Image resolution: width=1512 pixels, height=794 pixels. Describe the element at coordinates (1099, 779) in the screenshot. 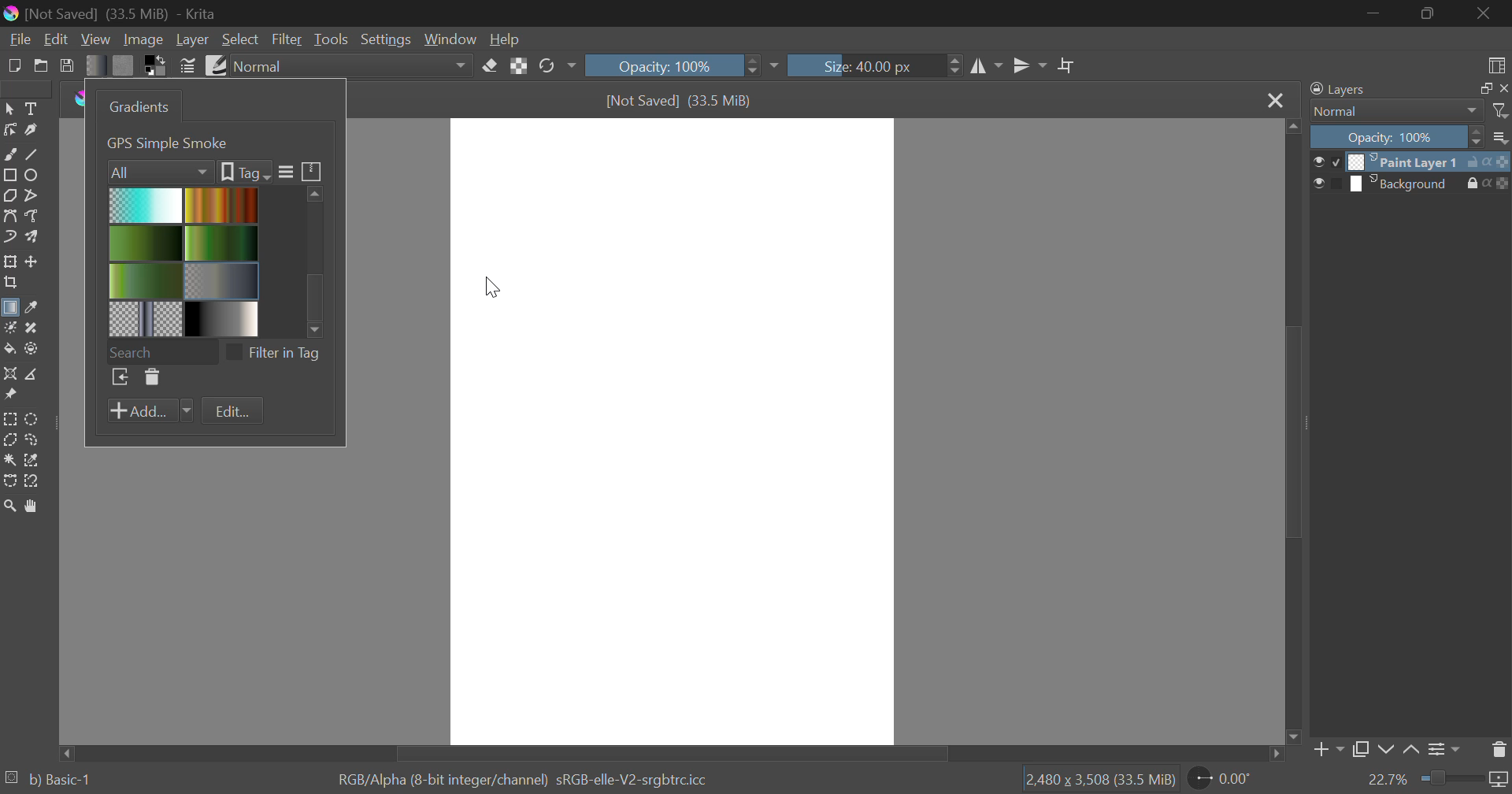

I see `12,480 x 3,508 (33.5 MiB)` at that location.